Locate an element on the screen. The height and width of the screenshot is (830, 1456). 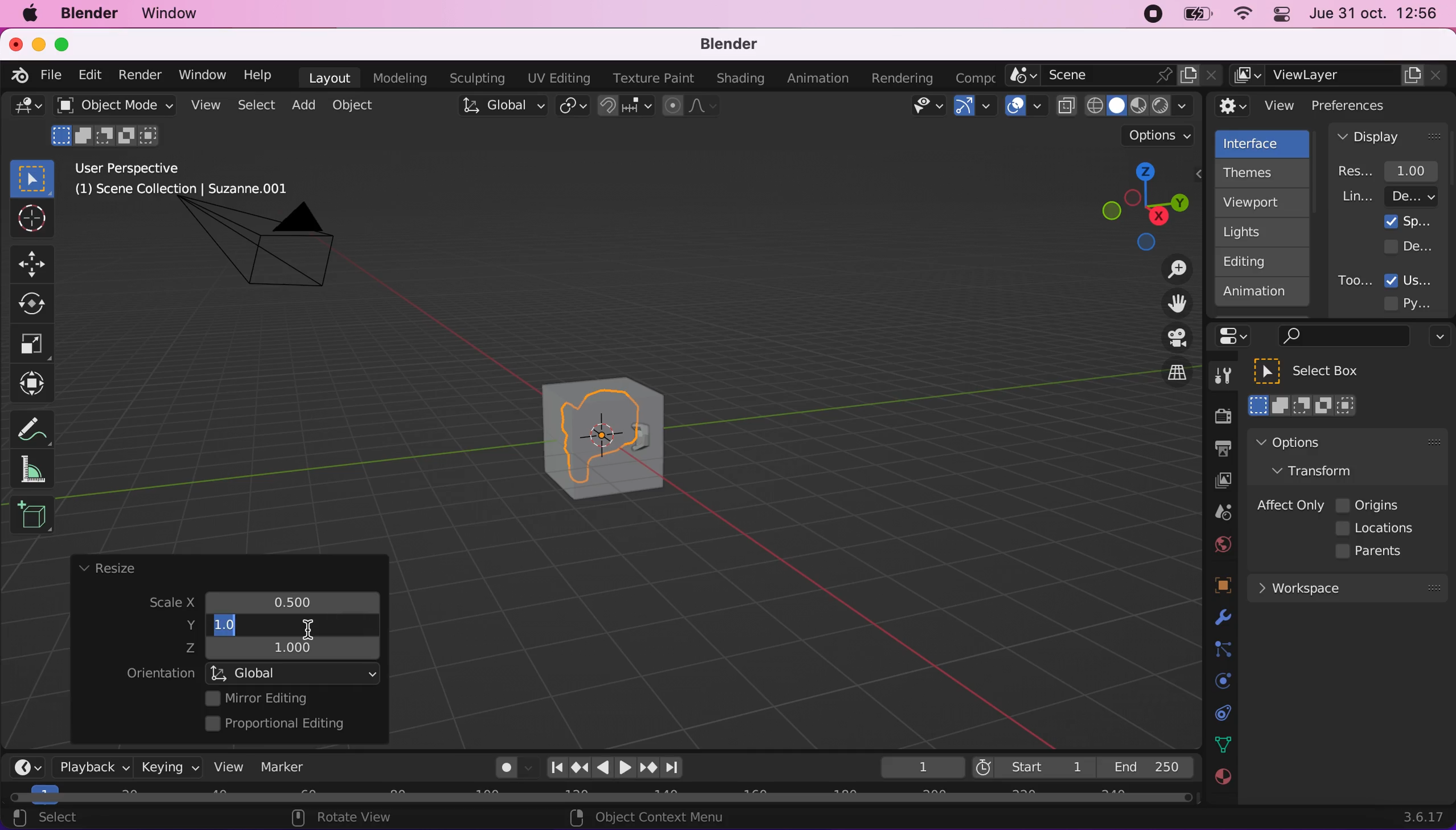
blender is located at coordinates (721, 45).